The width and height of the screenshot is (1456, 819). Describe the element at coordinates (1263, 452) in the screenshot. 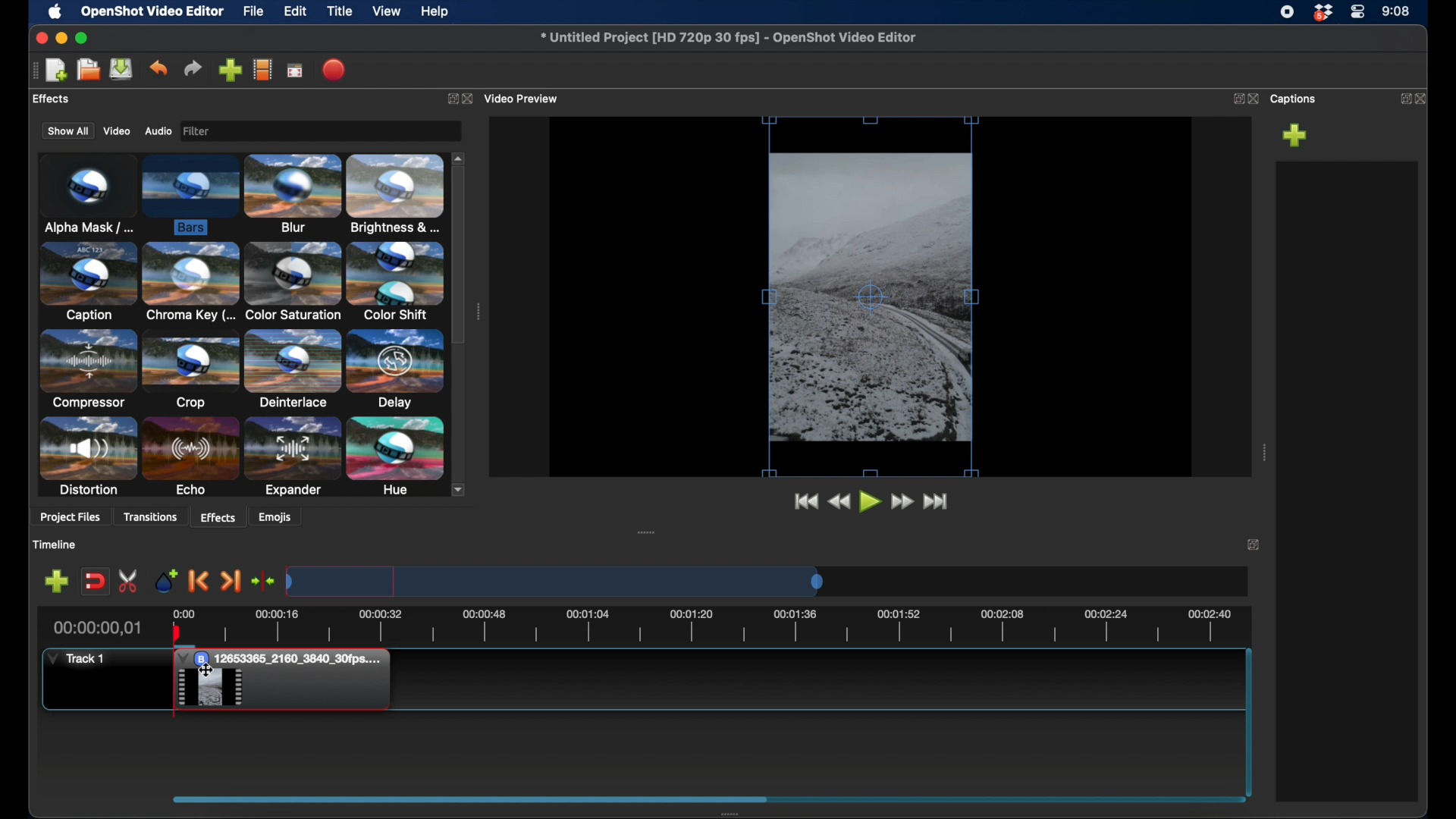

I see `drag handle` at that location.